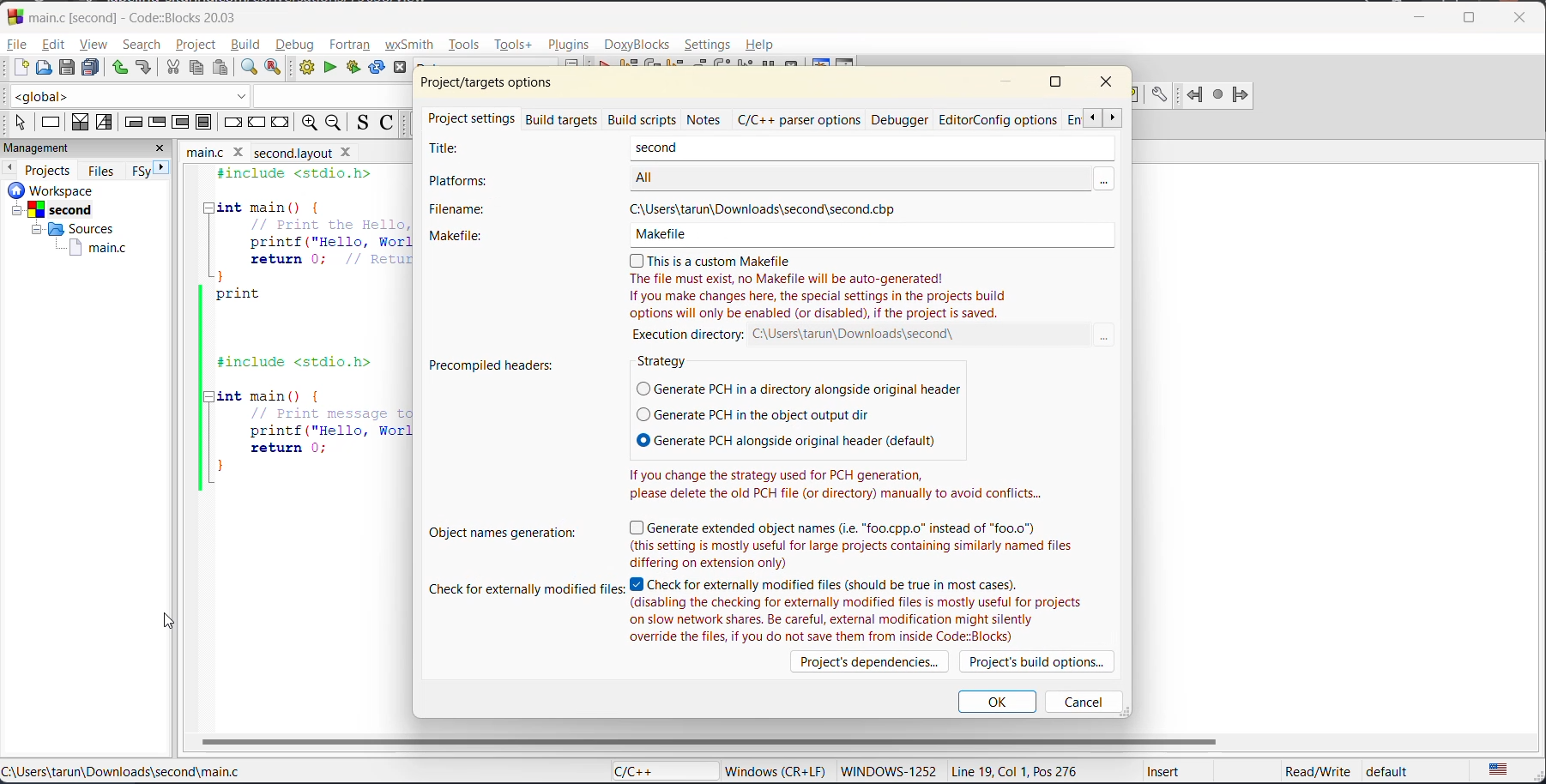 The height and width of the screenshot is (784, 1546). What do you see at coordinates (463, 46) in the screenshot?
I see `tools` at bounding box center [463, 46].